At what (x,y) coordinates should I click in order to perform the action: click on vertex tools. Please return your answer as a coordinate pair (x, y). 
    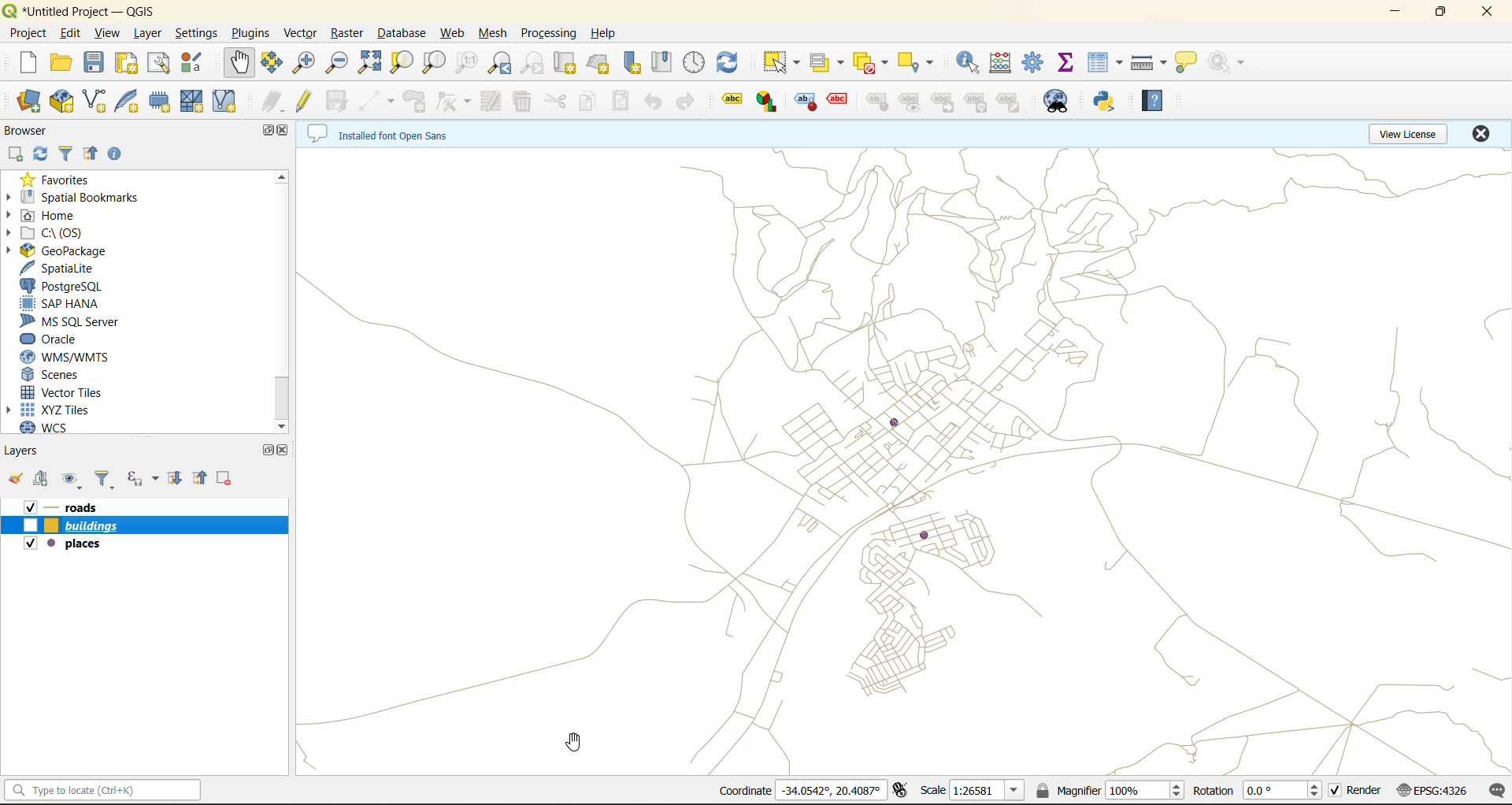
    Looking at the image, I should click on (454, 102).